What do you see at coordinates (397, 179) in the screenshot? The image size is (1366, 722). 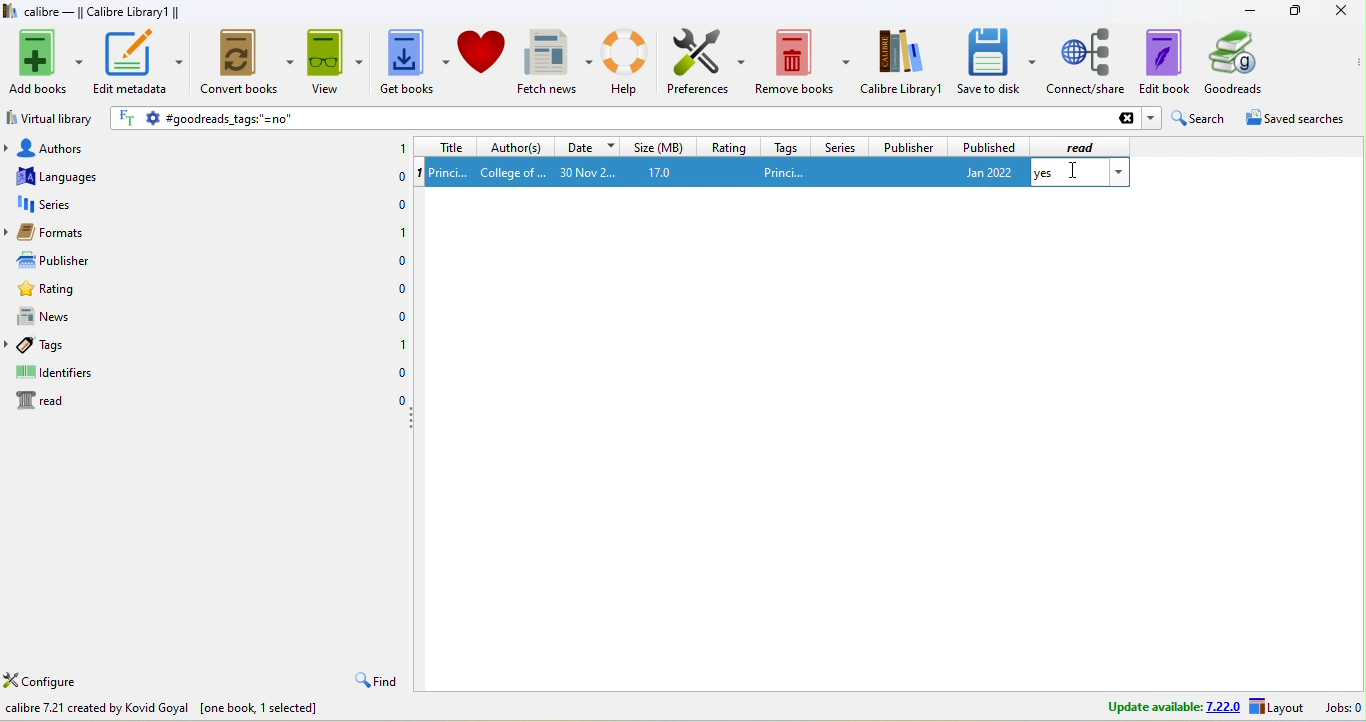 I see `0` at bounding box center [397, 179].